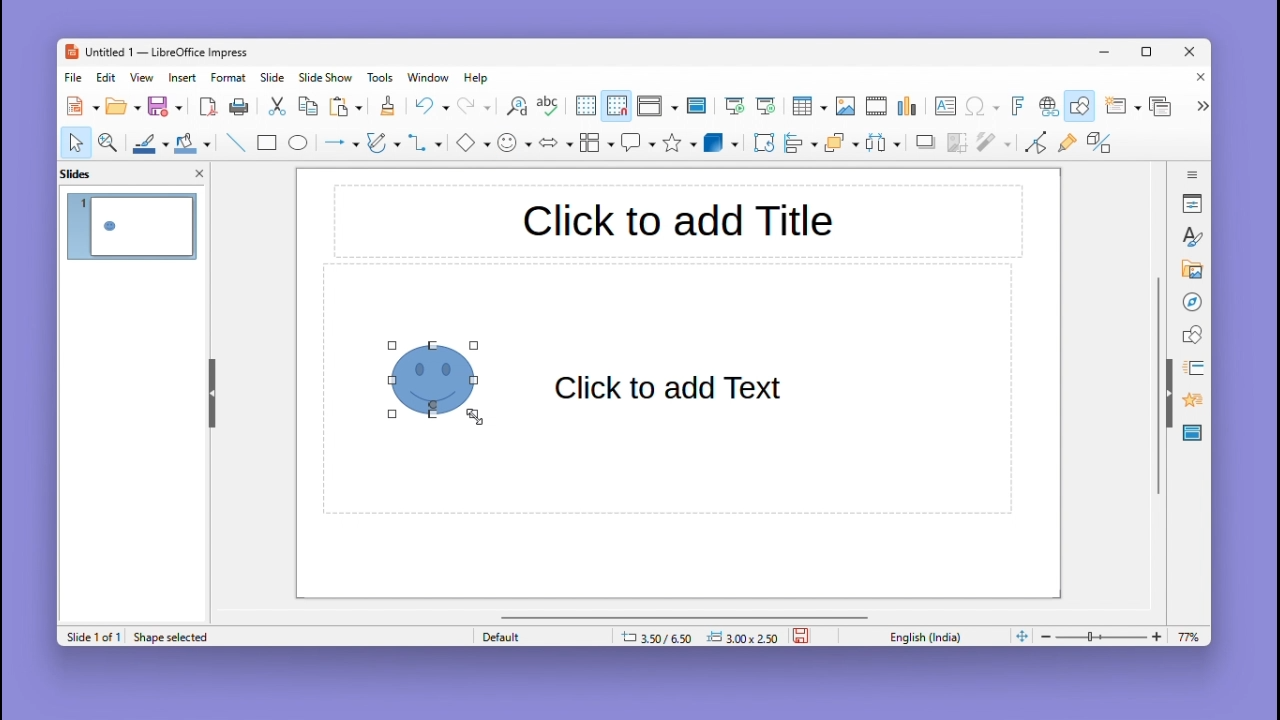 Image resolution: width=1280 pixels, height=720 pixels. I want to click on View, so click(145, 77).